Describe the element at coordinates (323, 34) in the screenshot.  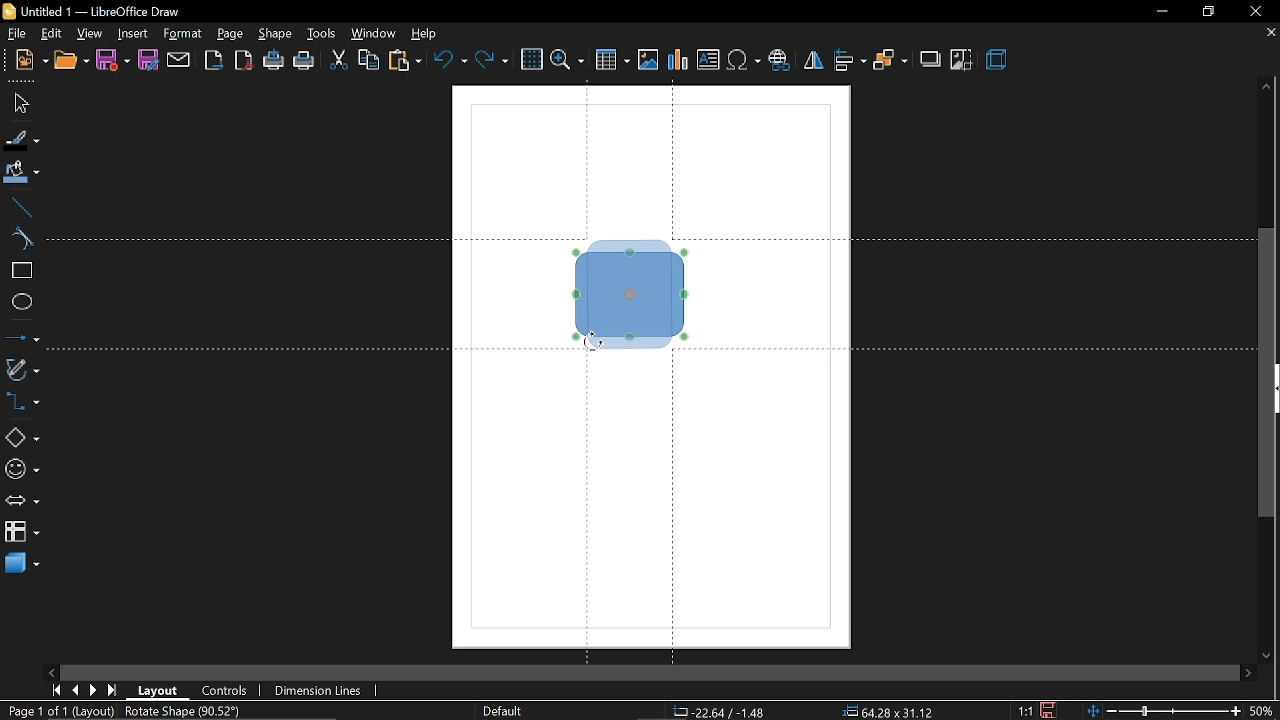
I see `tools` at that location.